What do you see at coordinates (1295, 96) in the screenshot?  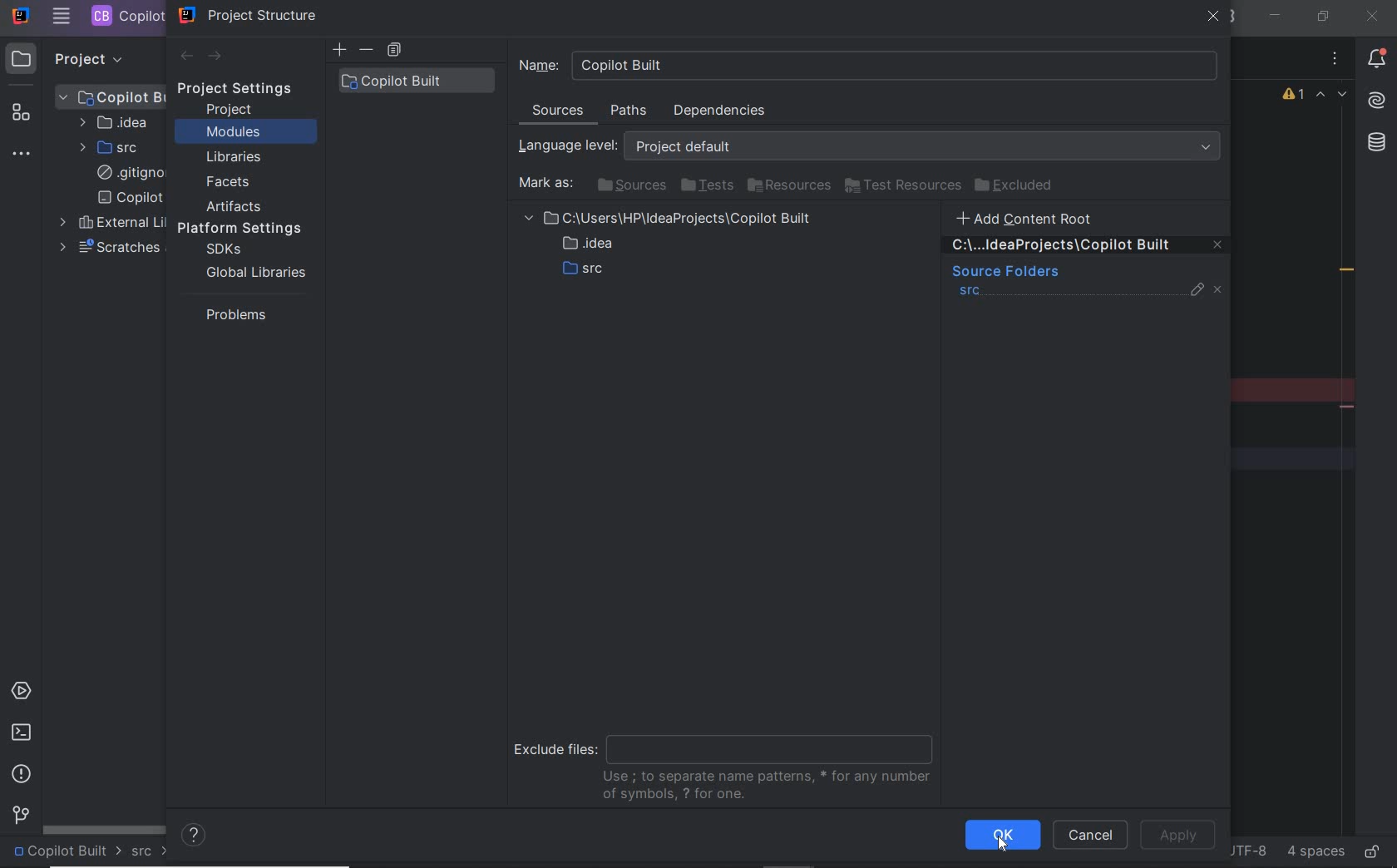 I see `1 warning` at bounding box center [1295, 96].